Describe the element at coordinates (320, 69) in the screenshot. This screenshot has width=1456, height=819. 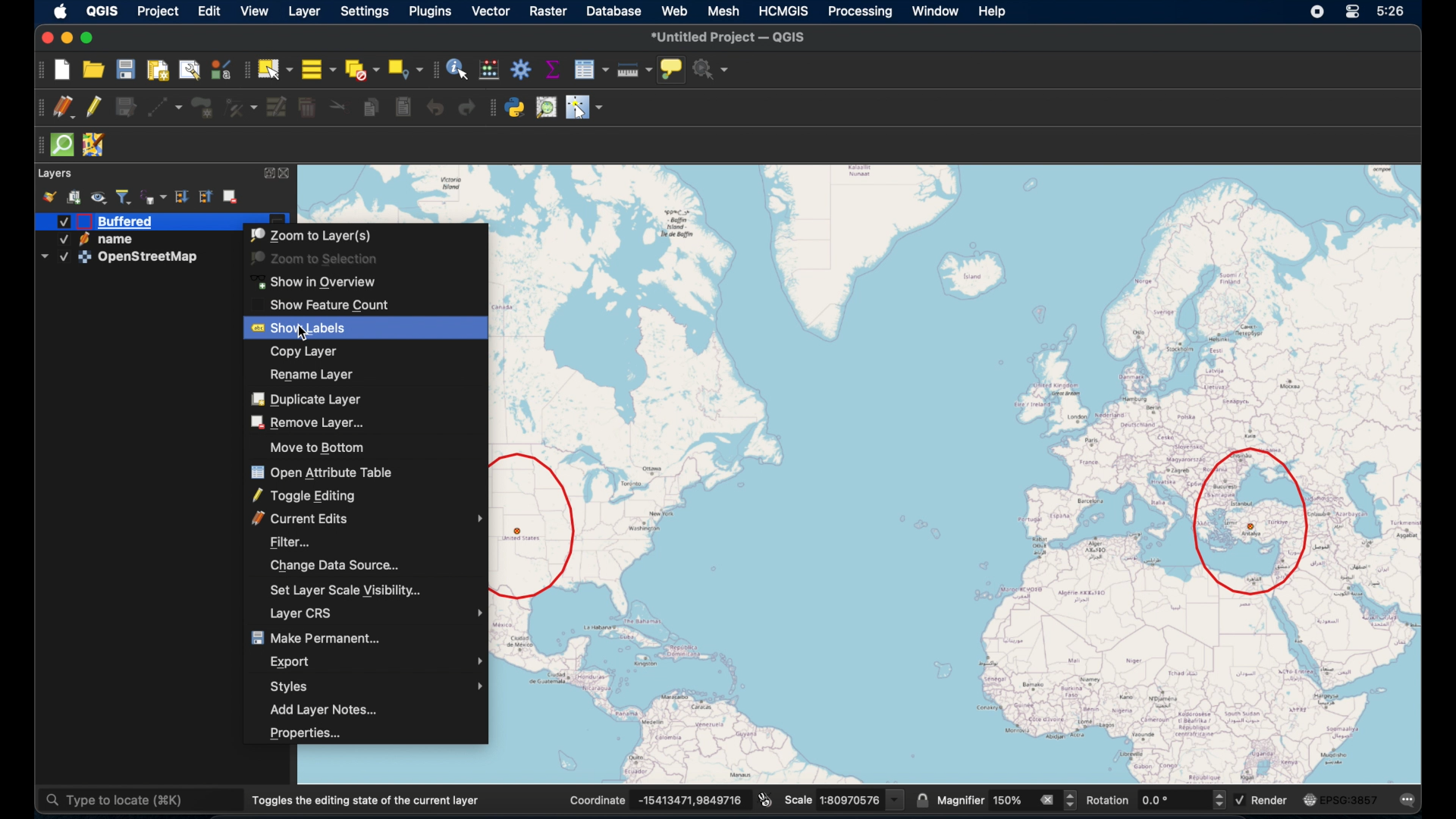
I see `select all features` at that location.